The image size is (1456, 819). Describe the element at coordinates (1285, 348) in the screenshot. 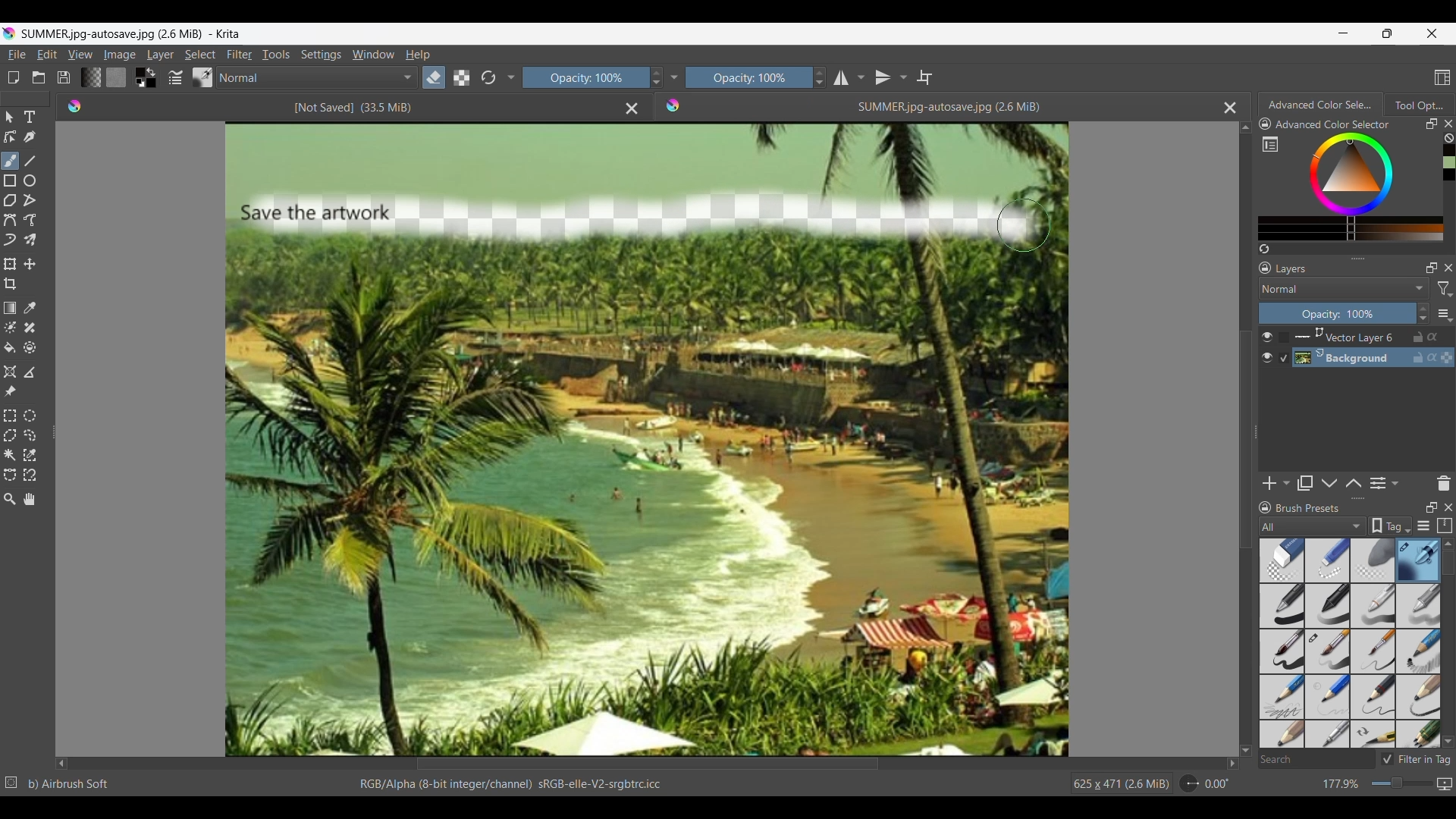

I see `Indicates respective background is selected` at that location.